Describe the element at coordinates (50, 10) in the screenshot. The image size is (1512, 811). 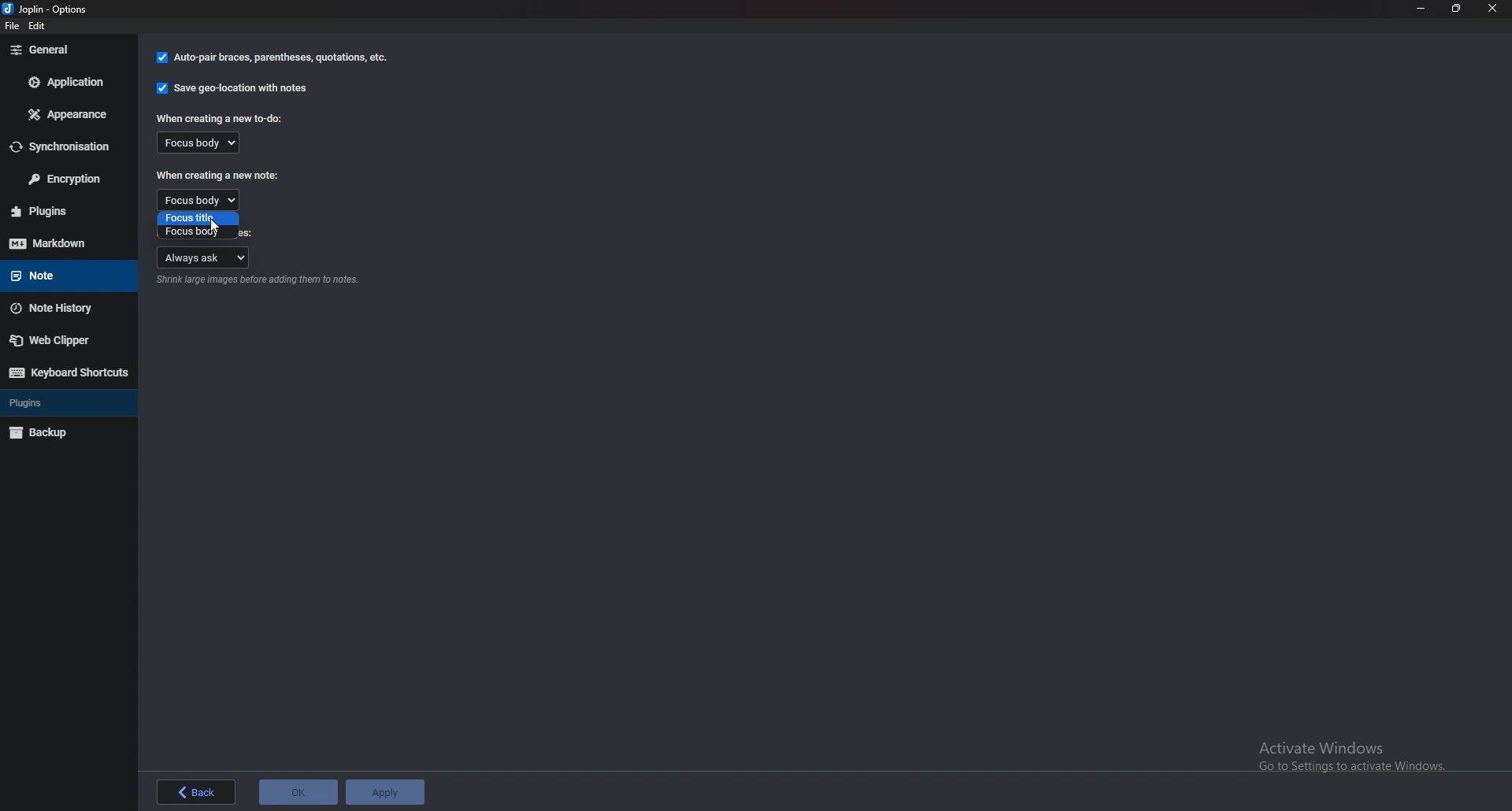
I see `options` at that location.